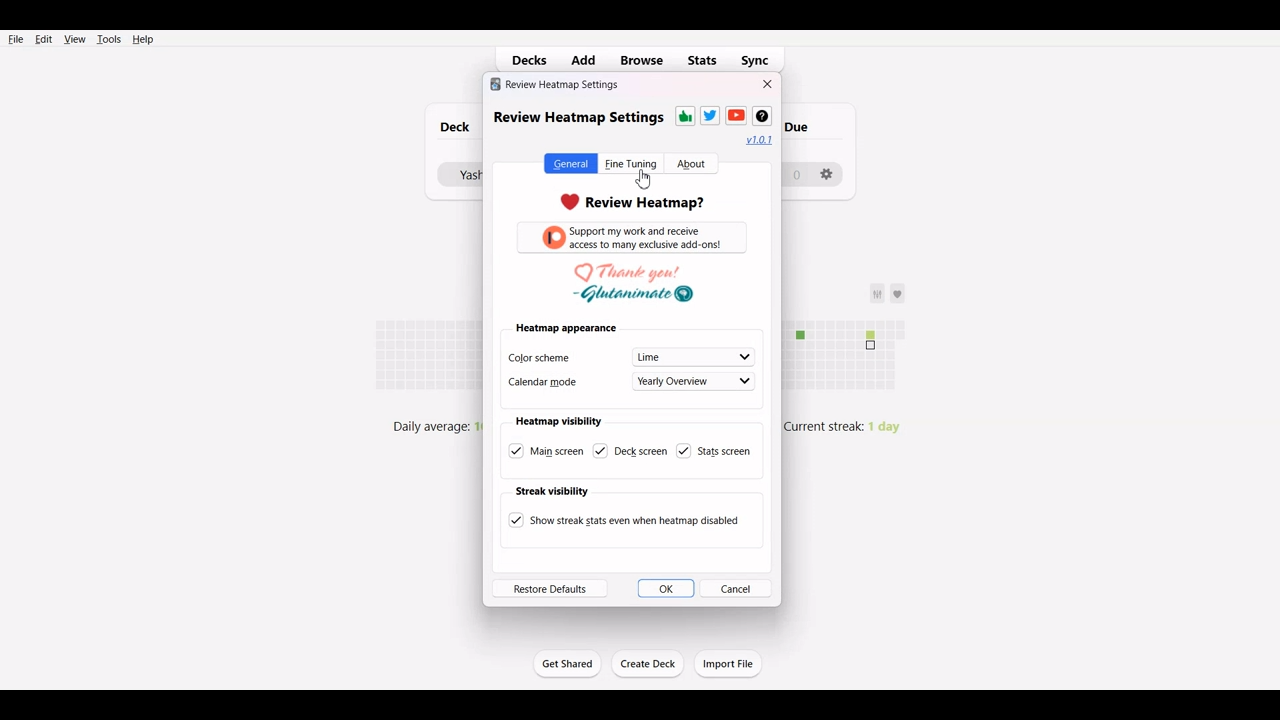 The image size is (1280, 720). What do you see at coordinates (635, 241) in the screenshot?
I see `support my work and receive access to many exclusive add-ons!` at bounding box center [635, 241].